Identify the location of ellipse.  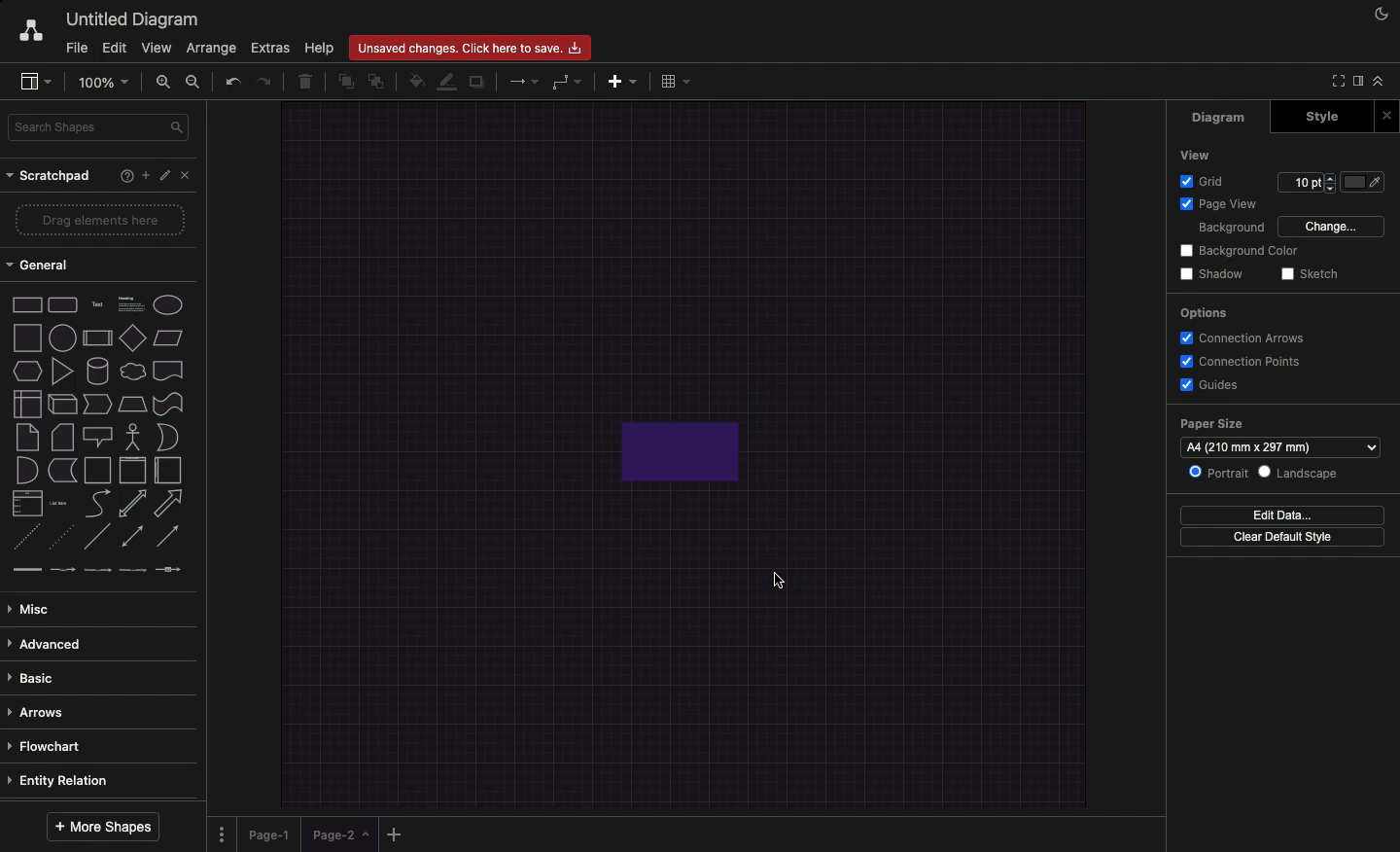
(168, 302).